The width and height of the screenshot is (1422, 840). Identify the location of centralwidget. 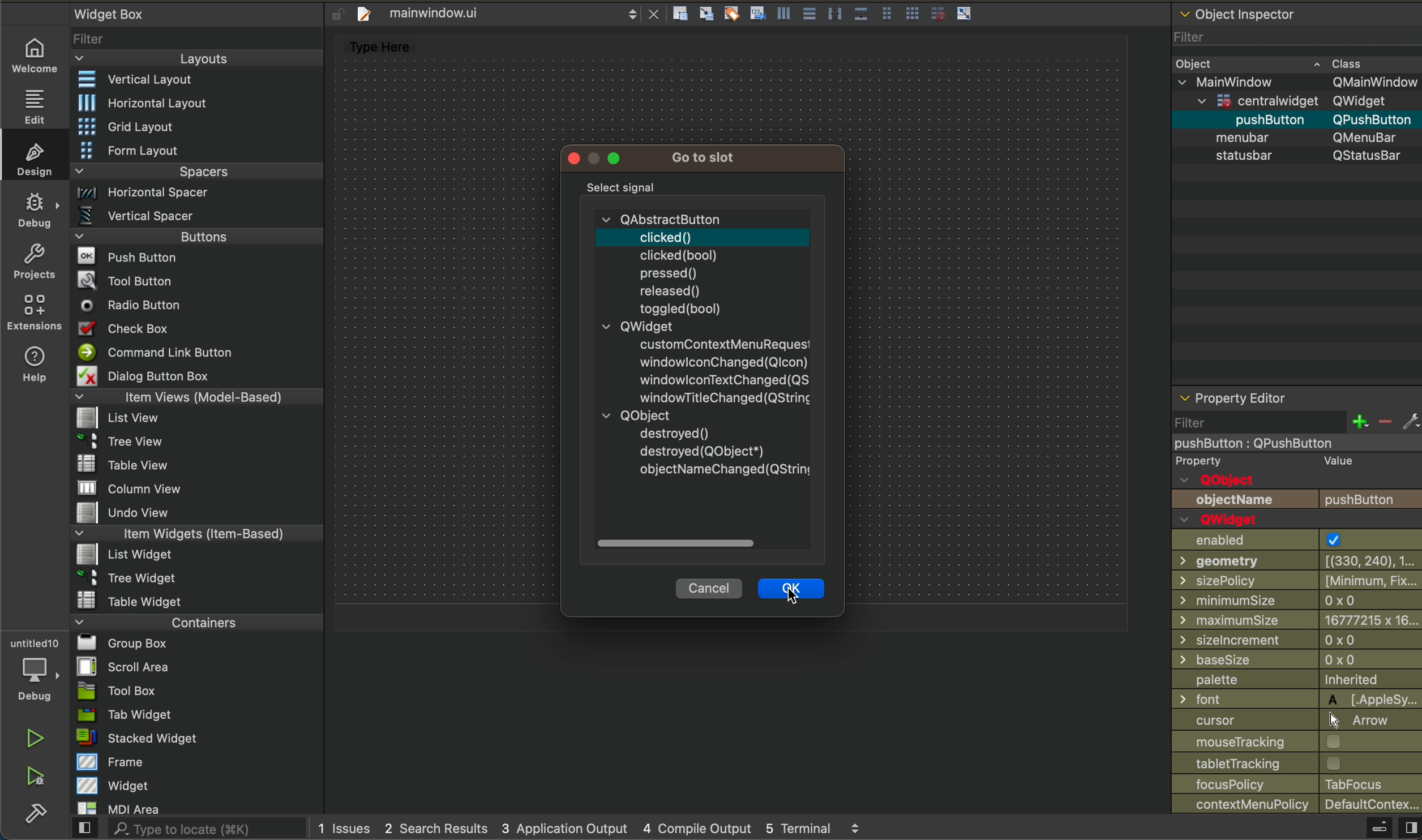
(1293, 101).